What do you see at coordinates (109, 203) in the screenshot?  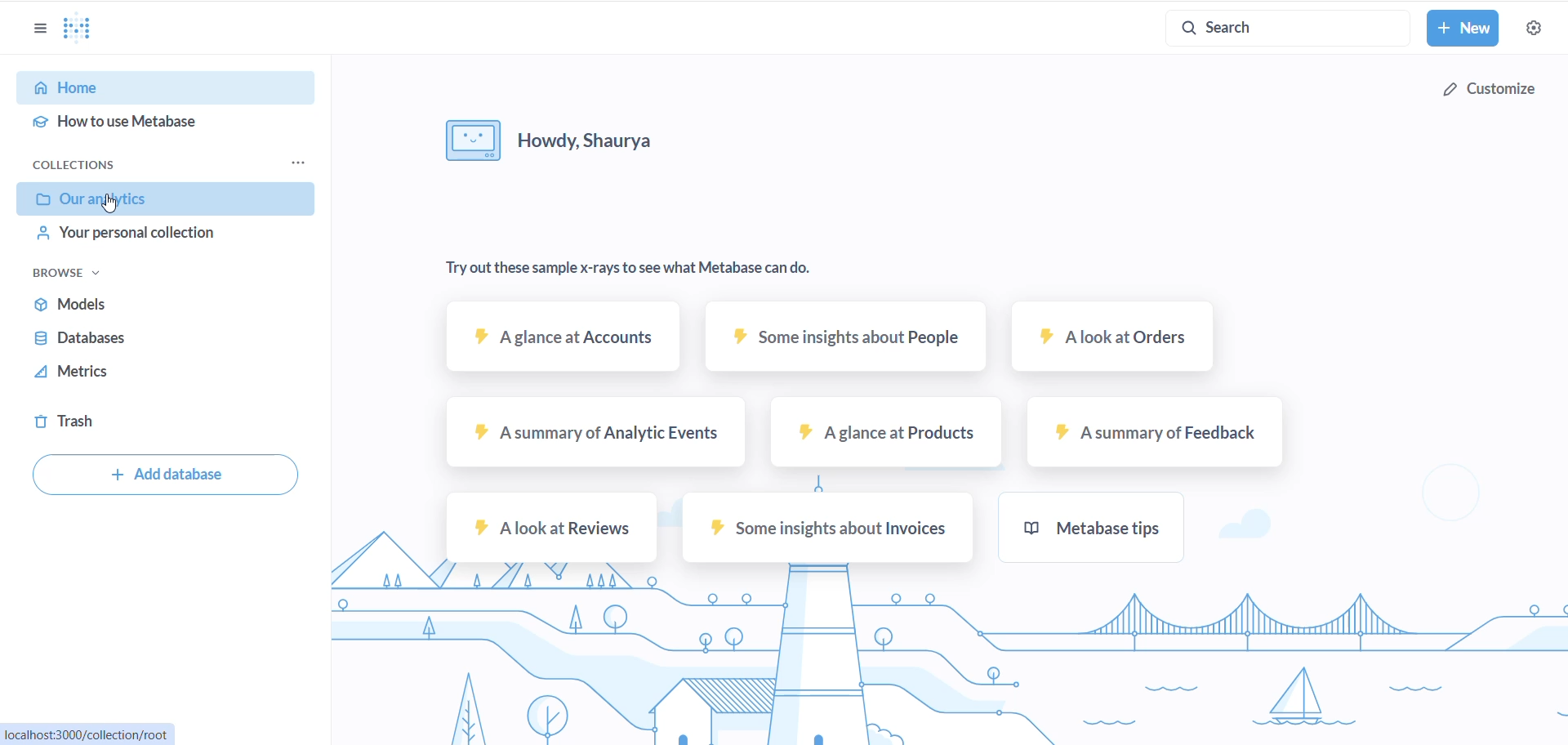 I see `cursor` at bounding box center [109, 203].